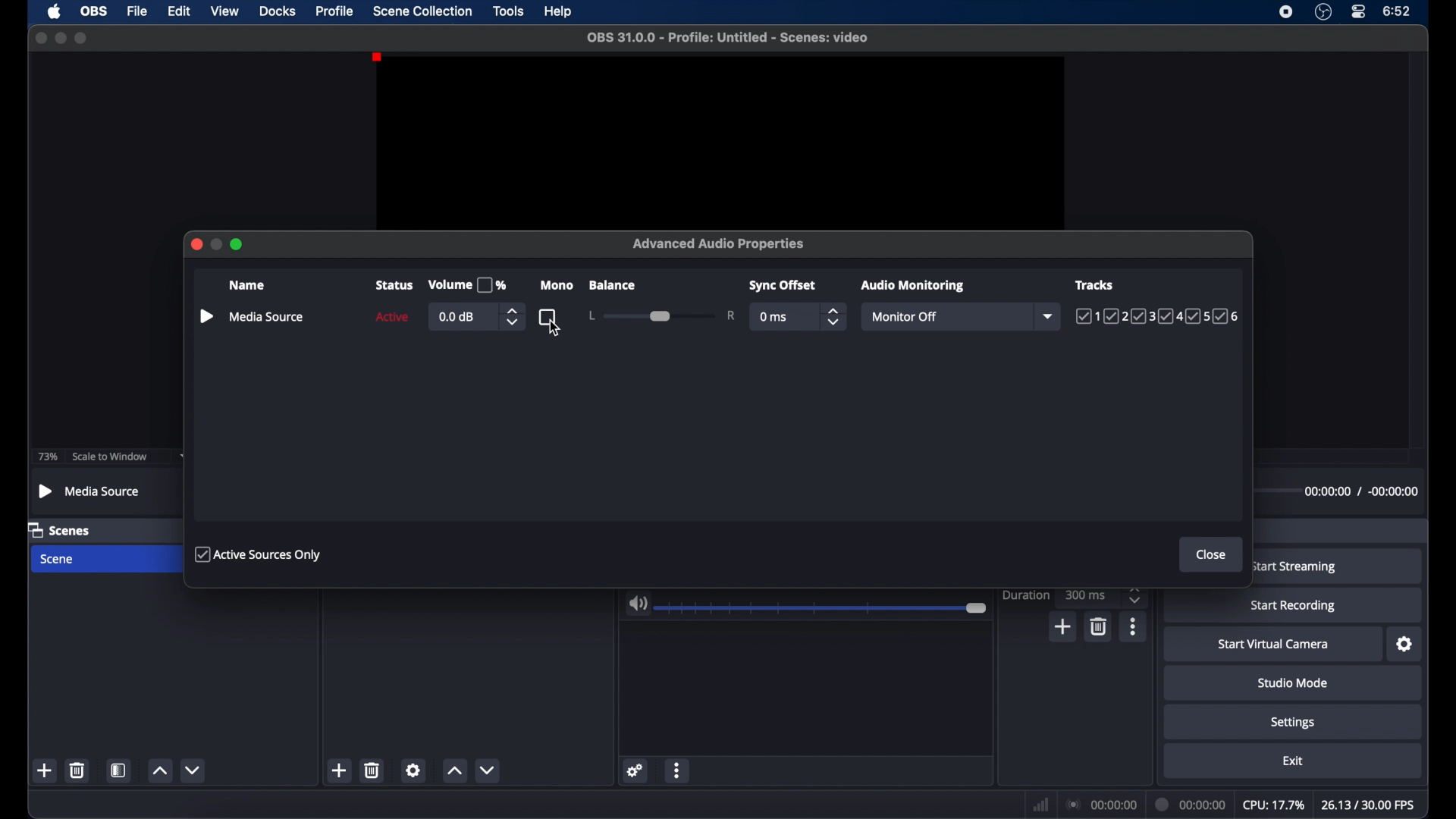 This screenshot has height=819, width=1456. I want to click on delete, so click(77, 770).